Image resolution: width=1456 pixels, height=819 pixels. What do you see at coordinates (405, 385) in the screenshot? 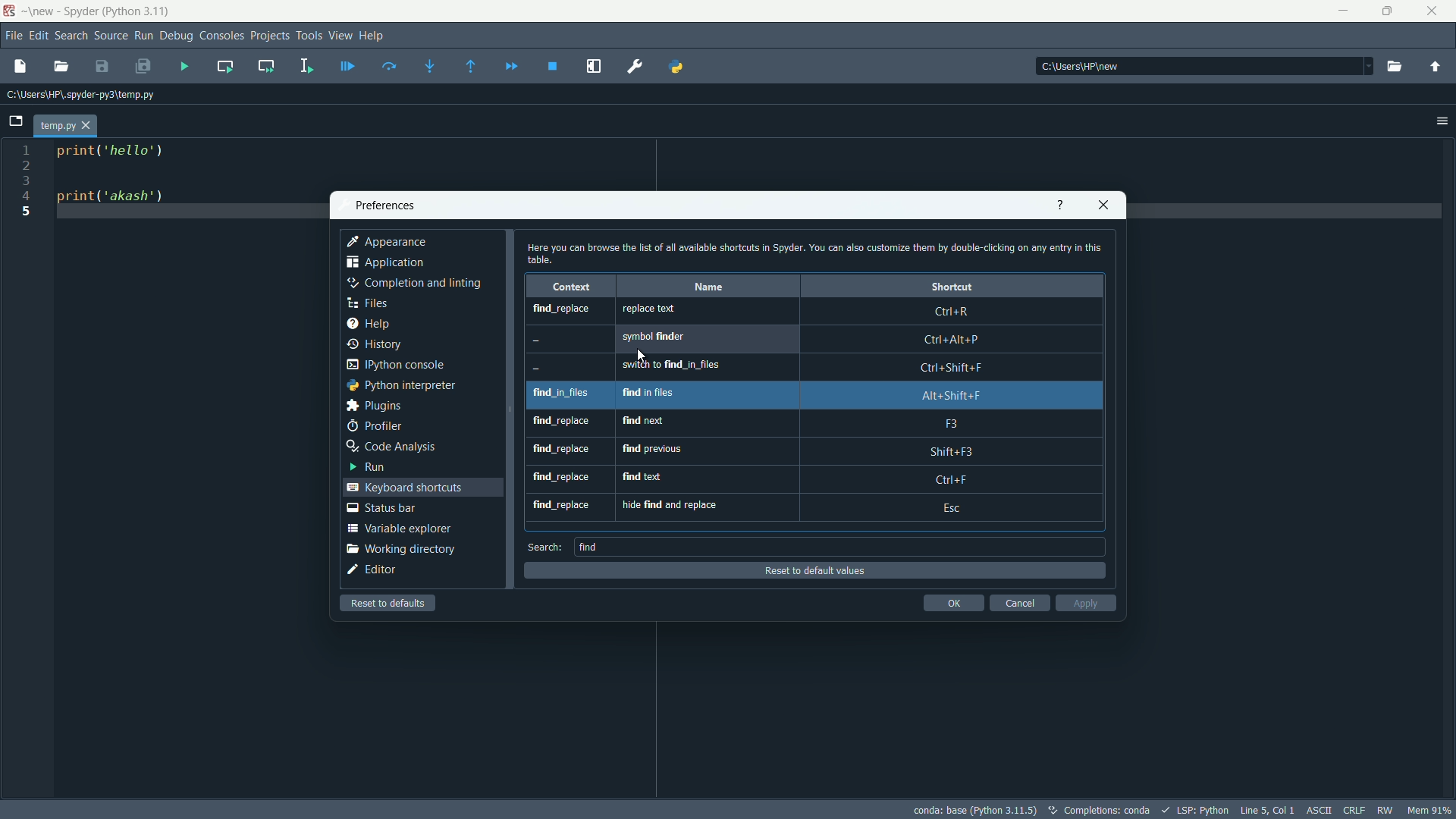
I see `python interpreter` at bounding box center [405, 385].